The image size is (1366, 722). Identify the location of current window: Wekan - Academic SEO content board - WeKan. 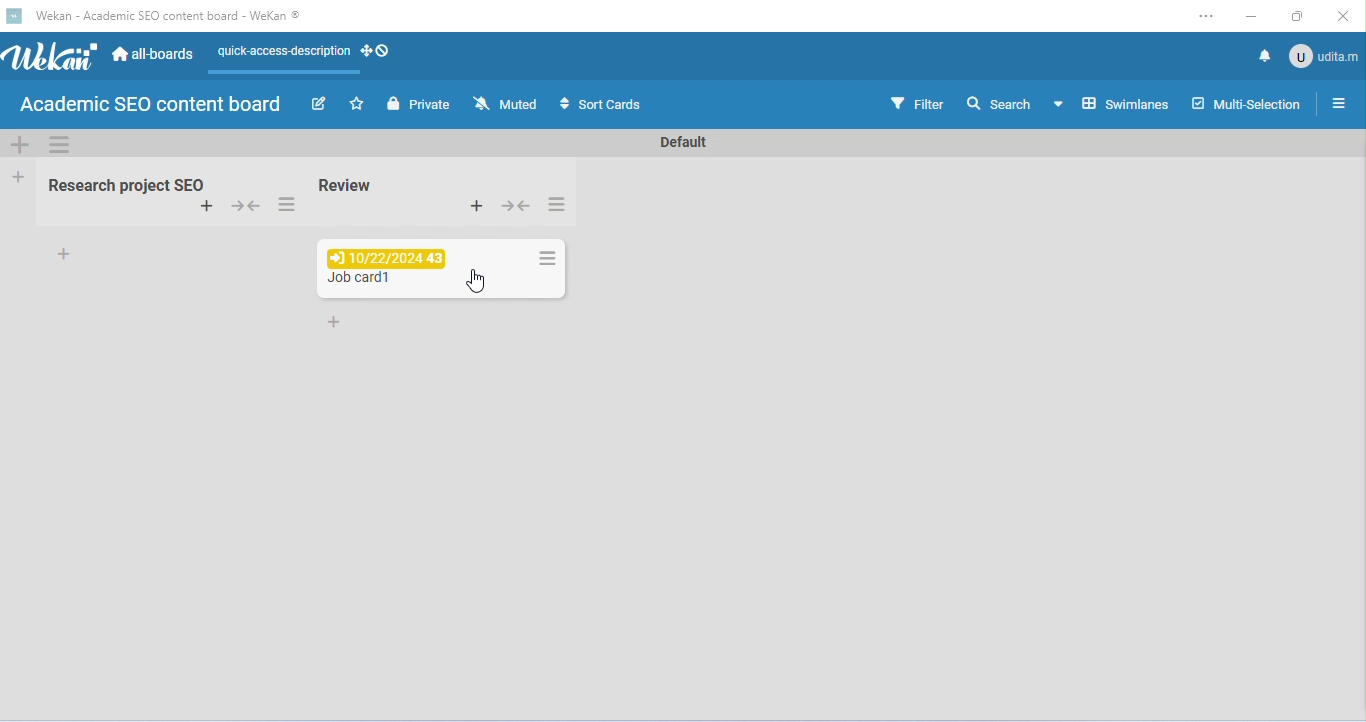
(165, 15).